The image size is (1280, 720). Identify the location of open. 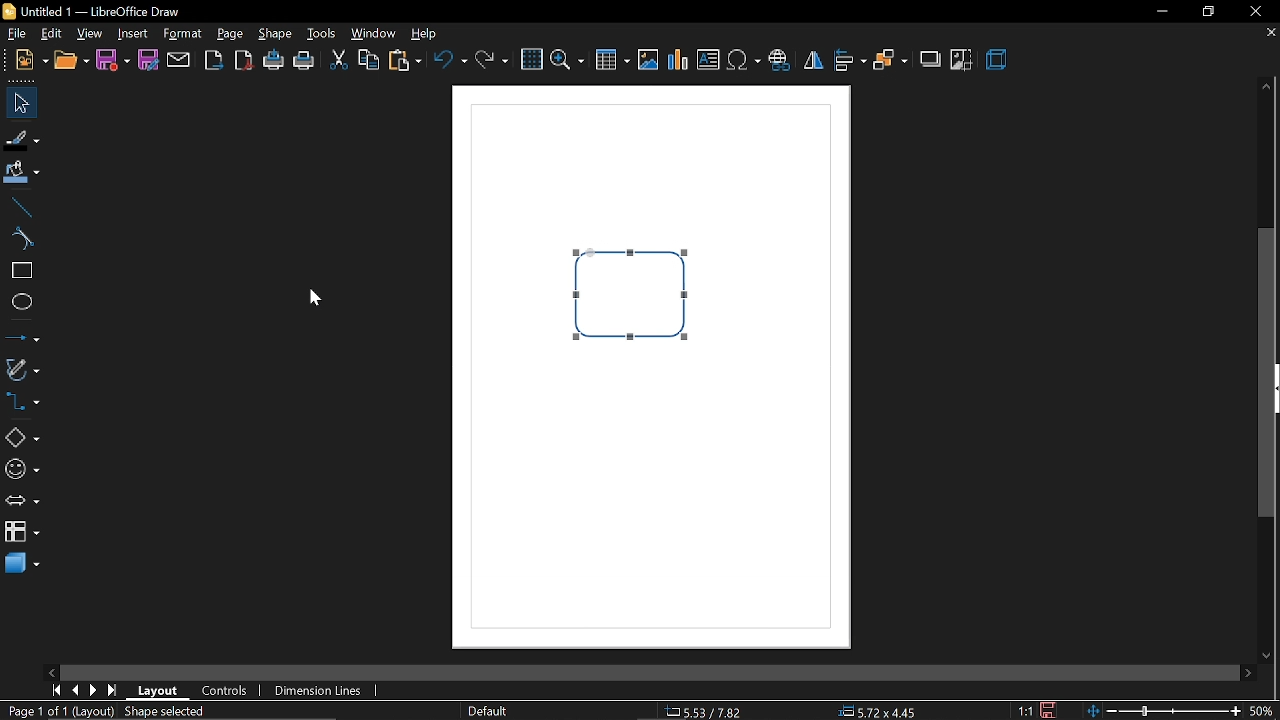
(73, 61).